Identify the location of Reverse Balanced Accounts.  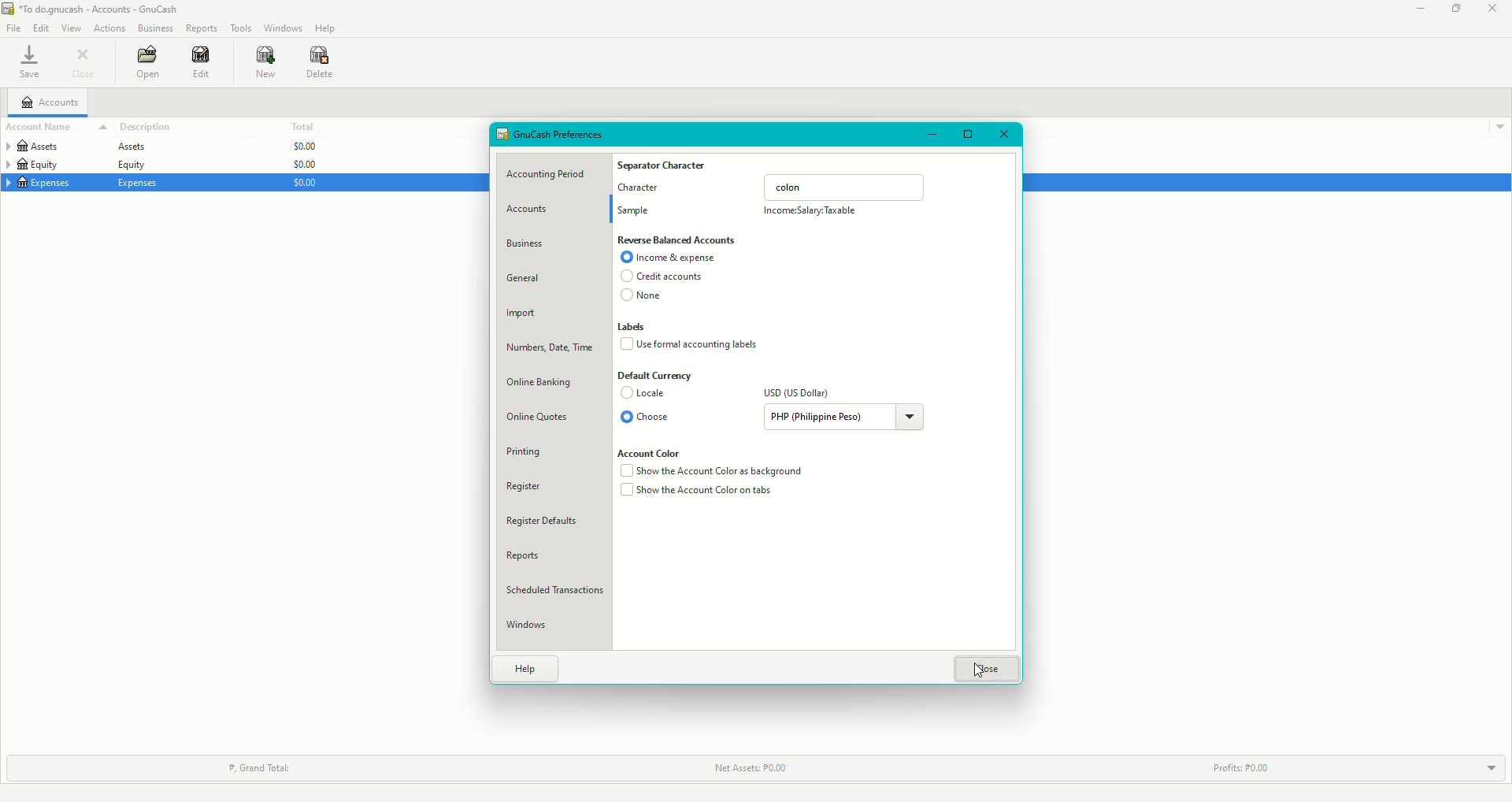
(677, 240).